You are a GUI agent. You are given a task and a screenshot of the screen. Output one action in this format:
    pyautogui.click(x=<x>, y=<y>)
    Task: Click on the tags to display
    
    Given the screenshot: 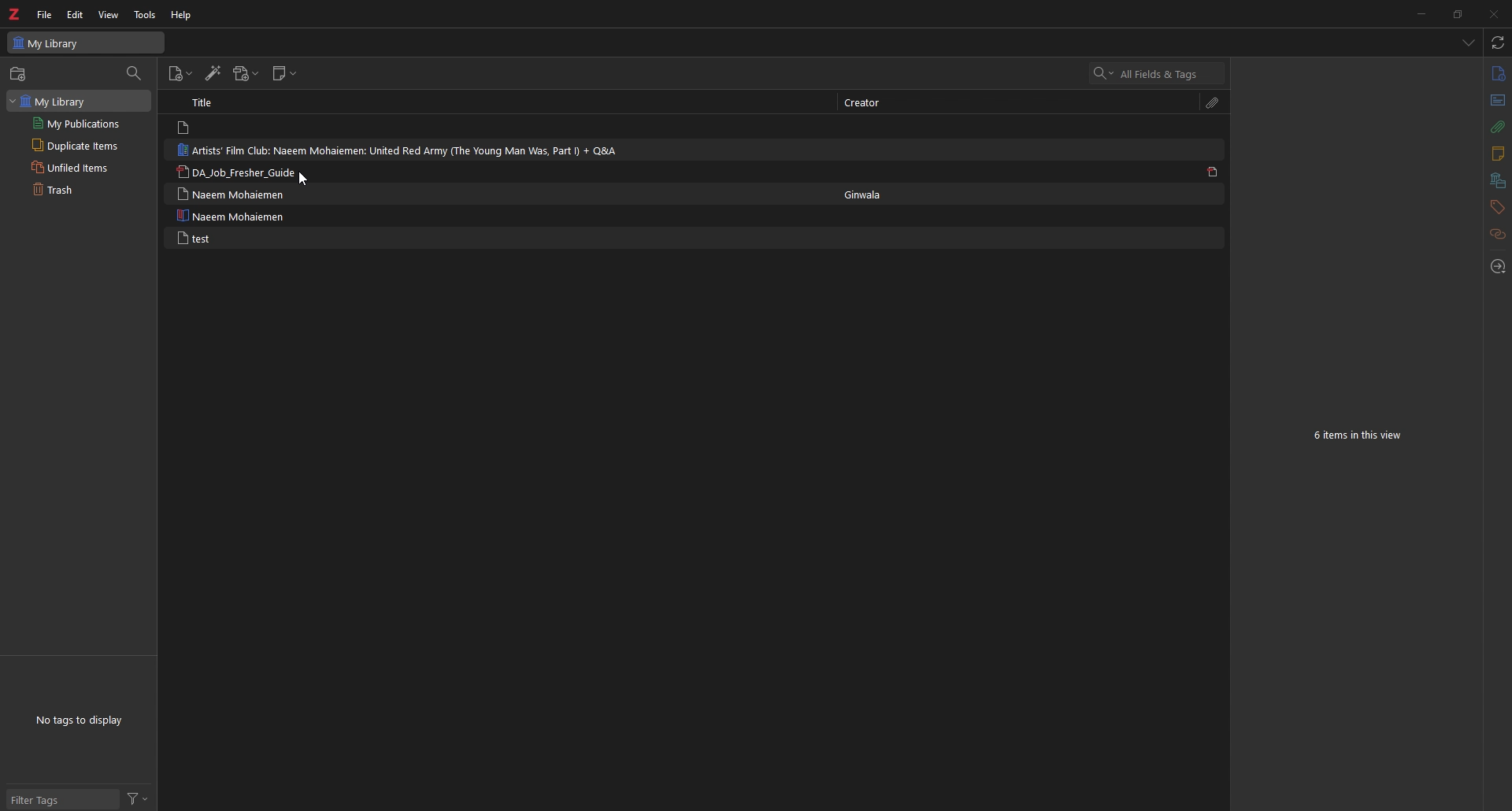 What is the action you would take?
    pyautogui.click(x=83, y=721)
    